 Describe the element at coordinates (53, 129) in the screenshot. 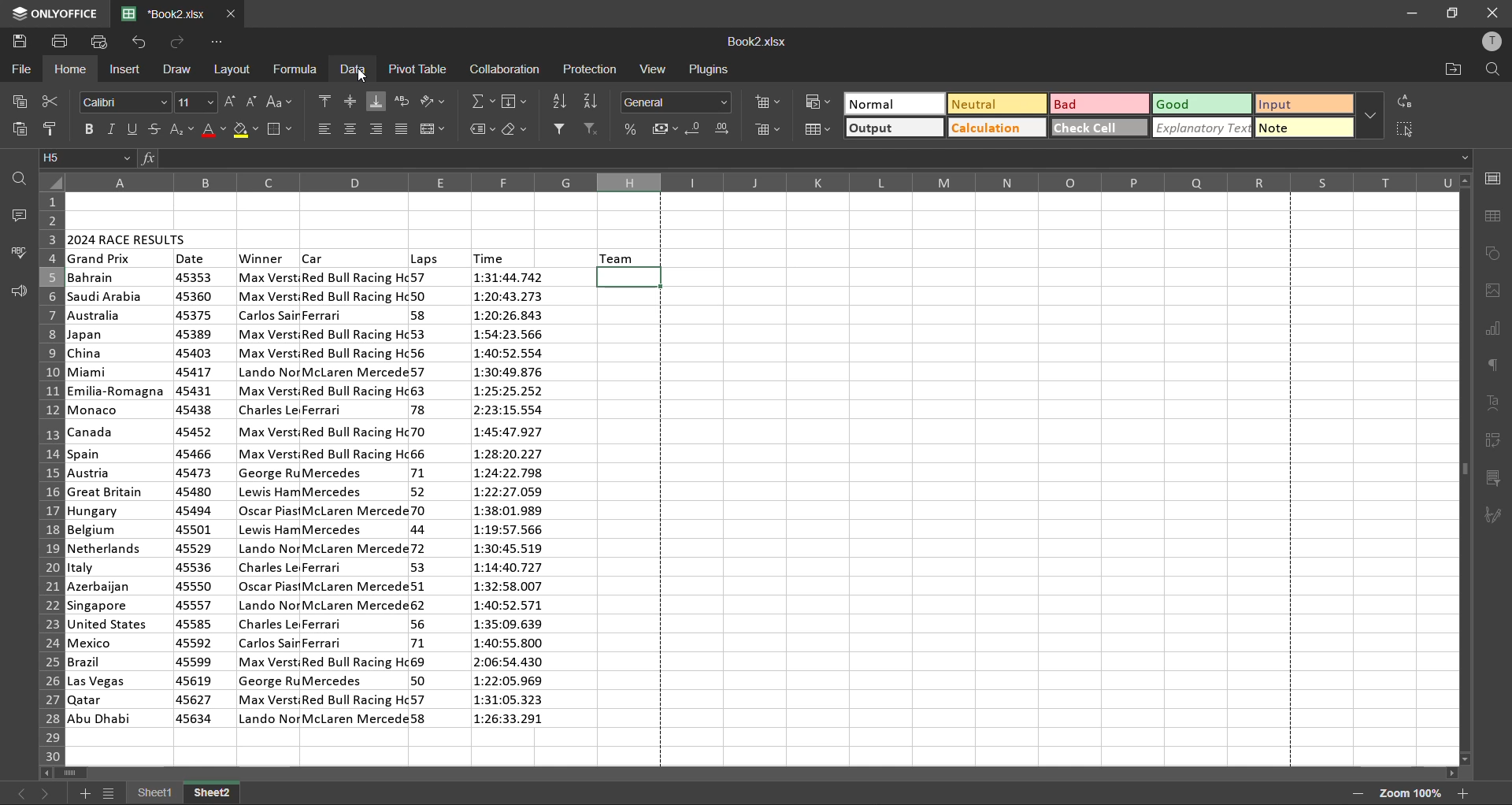

I see `copy style` at that location.